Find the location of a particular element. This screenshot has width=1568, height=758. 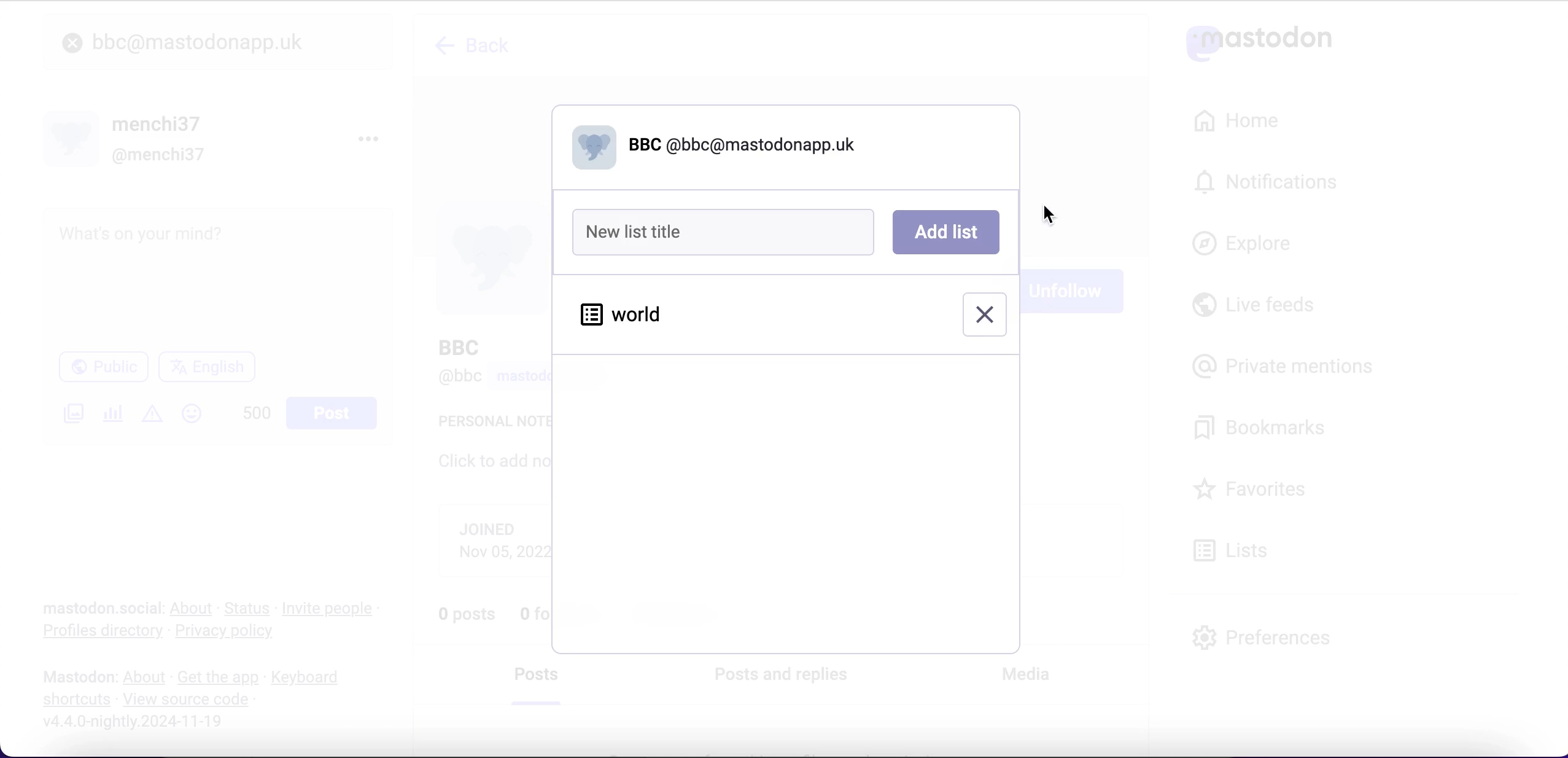

add list is located at coordinates (945, 233).